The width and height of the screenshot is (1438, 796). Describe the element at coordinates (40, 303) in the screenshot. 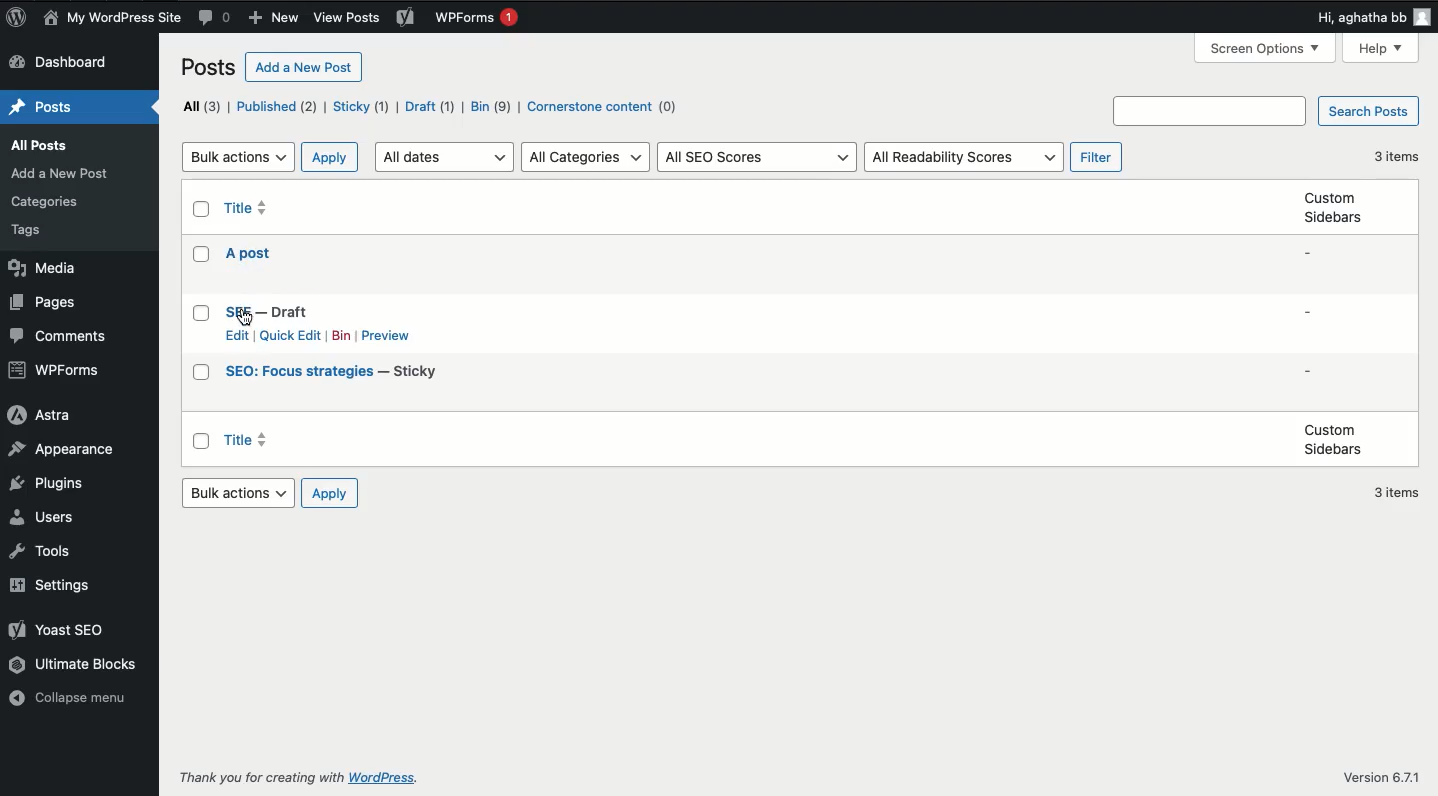

I see `Pages` at that location.